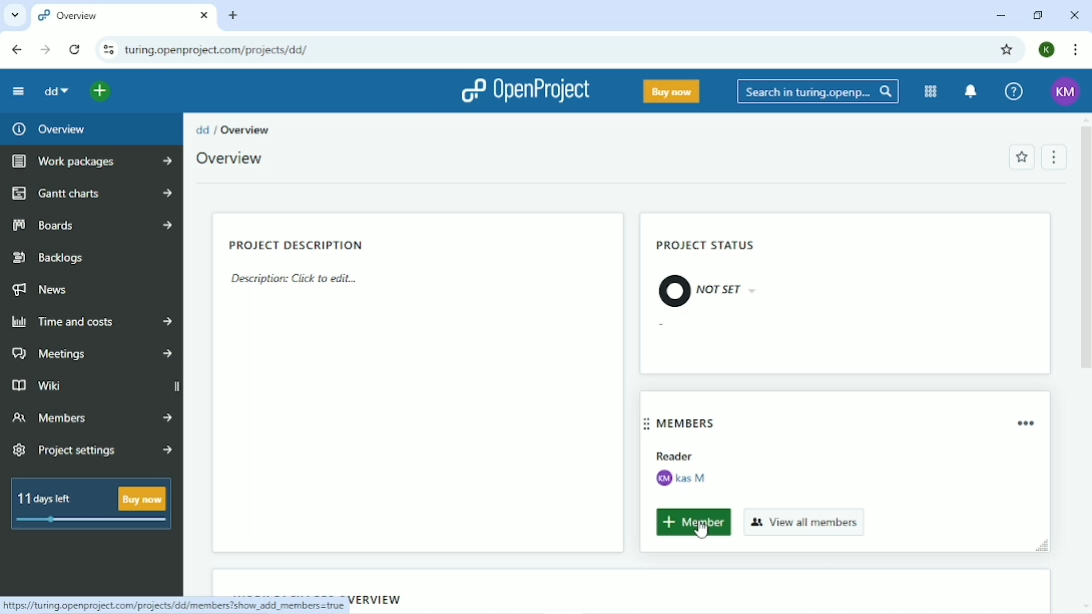 This screenshot has height=614, width=1092. What do you see at coordinates (93, 354) in the screenshot?
I see `Meetings` at bounding box center [93, 354].